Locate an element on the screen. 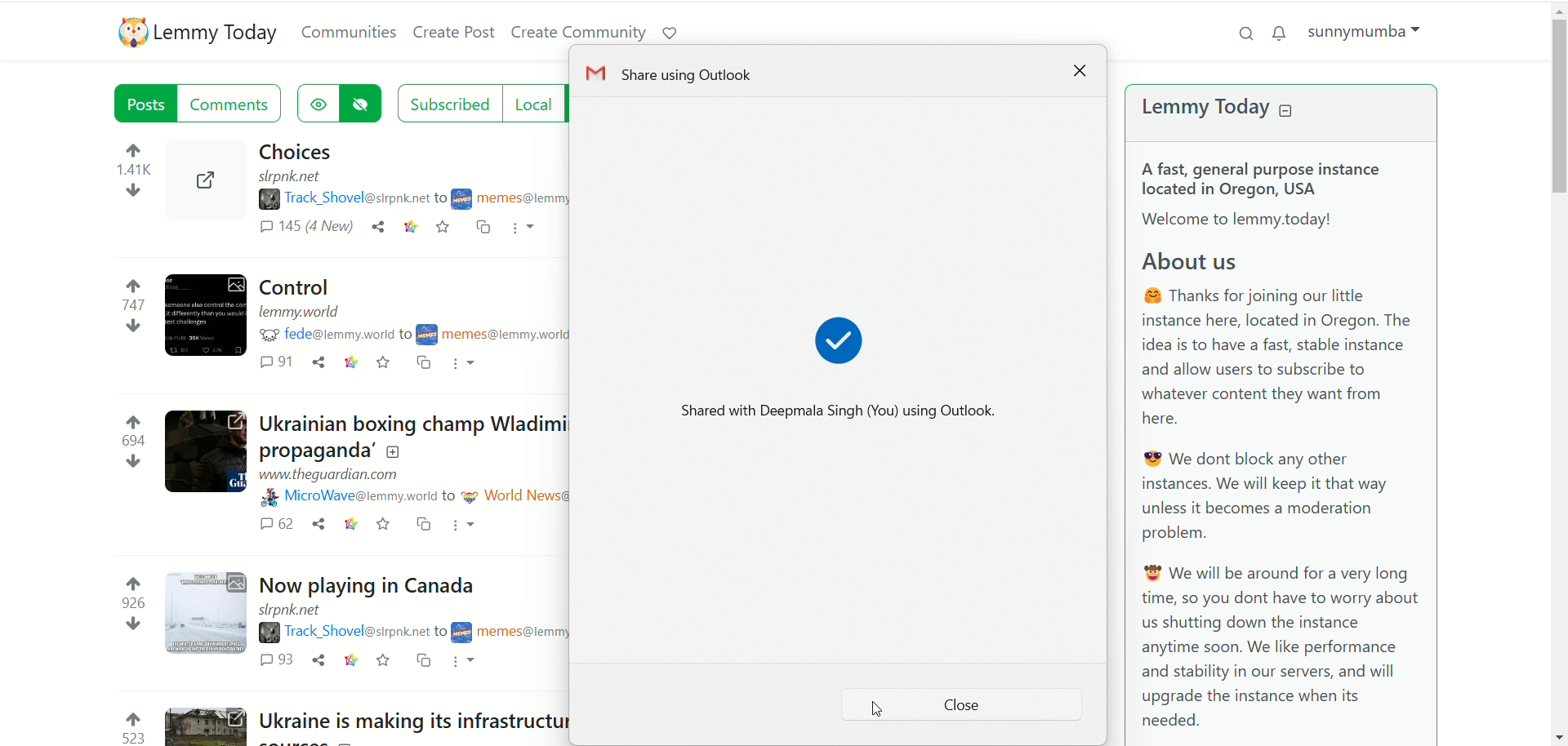 This screenshot has height=746, width=1568. cross post is located at coordinates (424, 362).